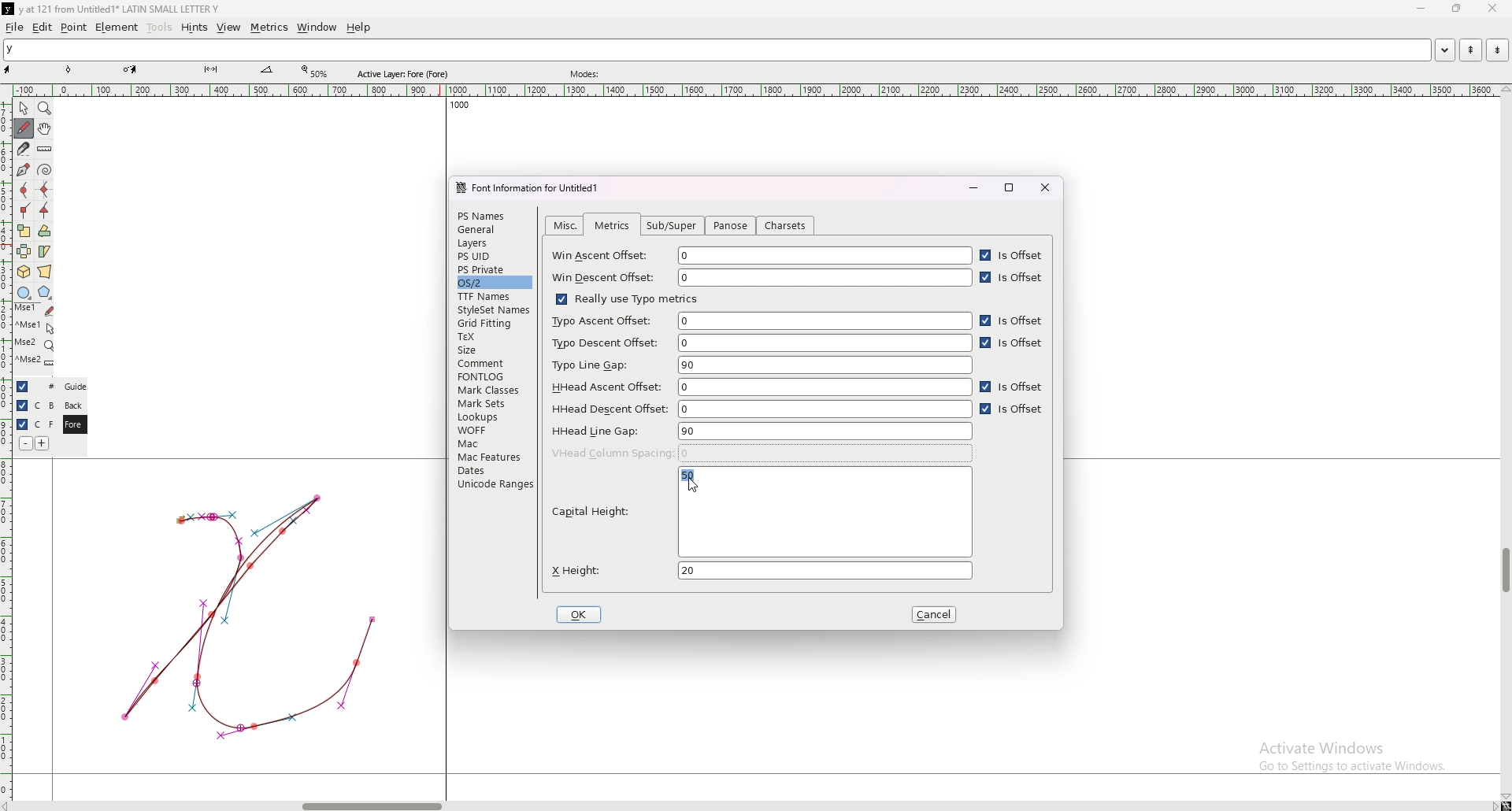 This screenshot has height=811, width=1512. I want to click on 1000, so click(456, 107).